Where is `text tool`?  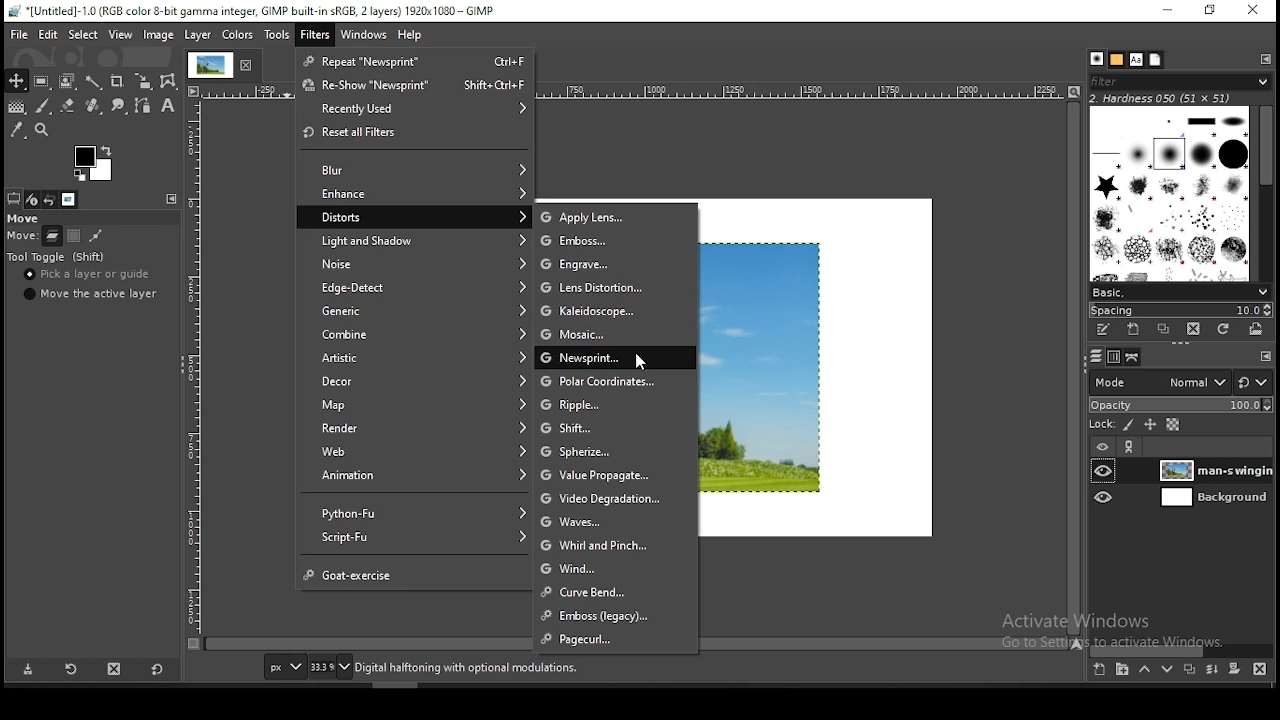
text tool is located at coordinates (169, 106).